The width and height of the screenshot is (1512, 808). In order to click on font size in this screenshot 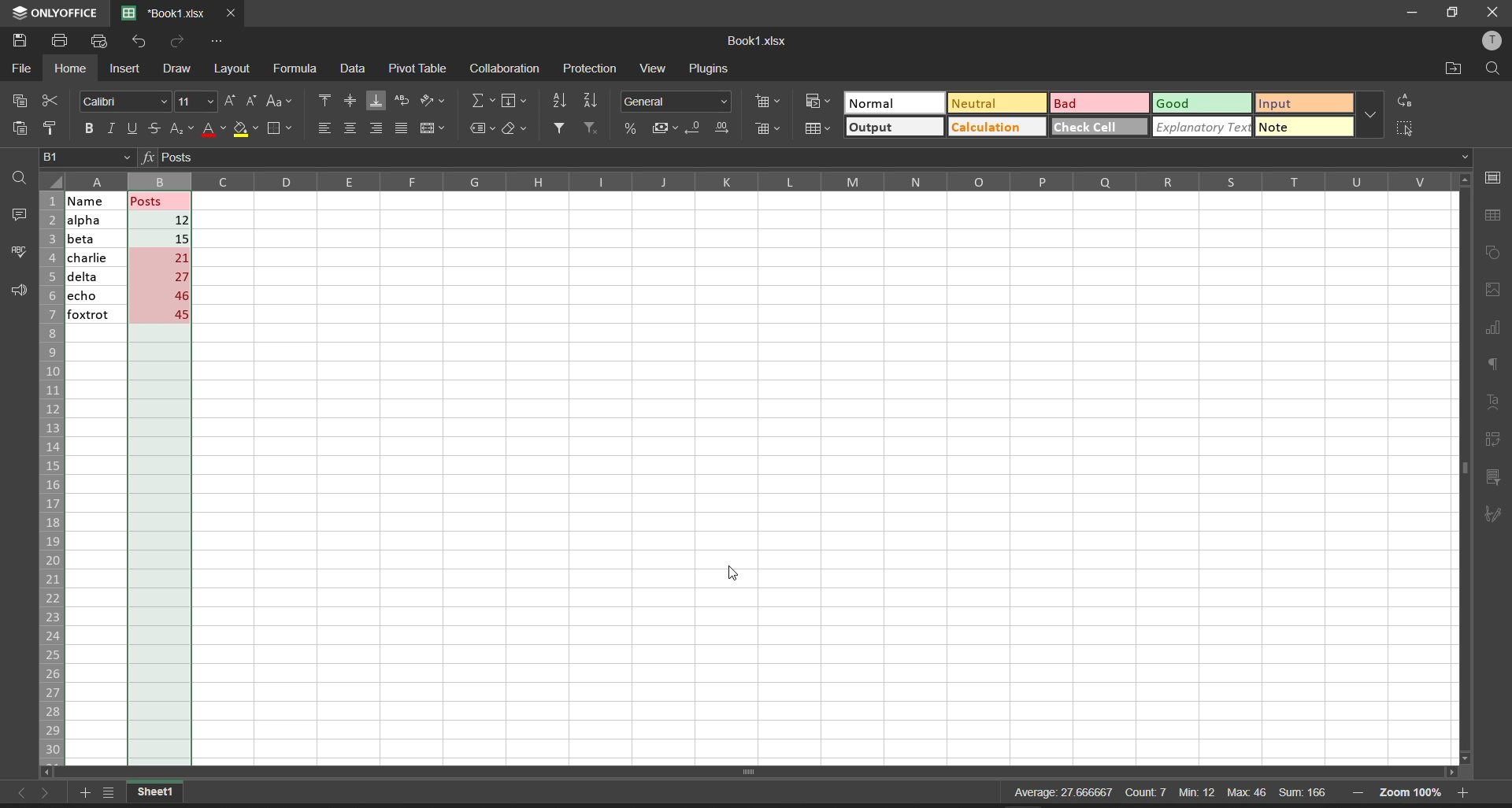, I will do `click(195, 101)`.